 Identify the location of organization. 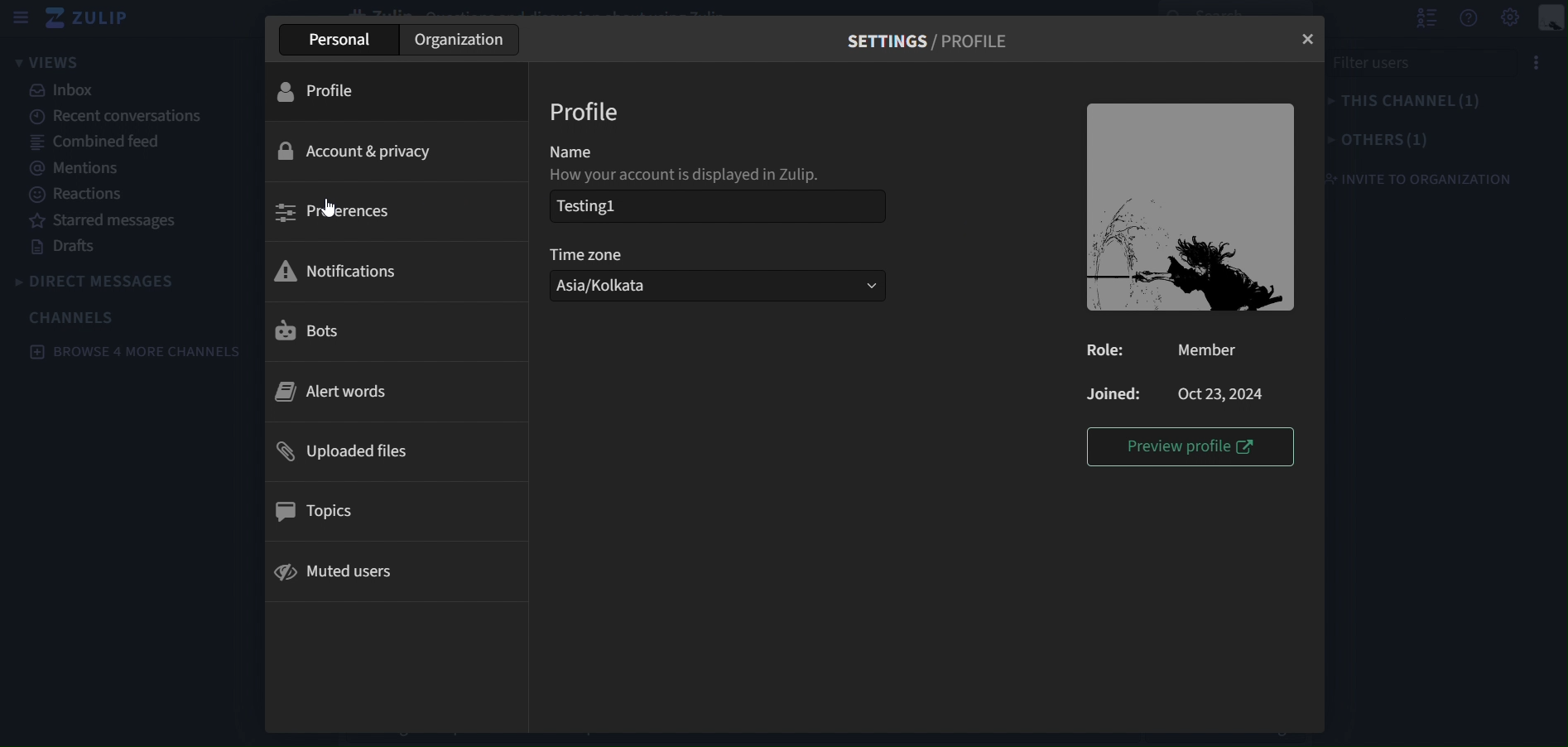
(459, 39).